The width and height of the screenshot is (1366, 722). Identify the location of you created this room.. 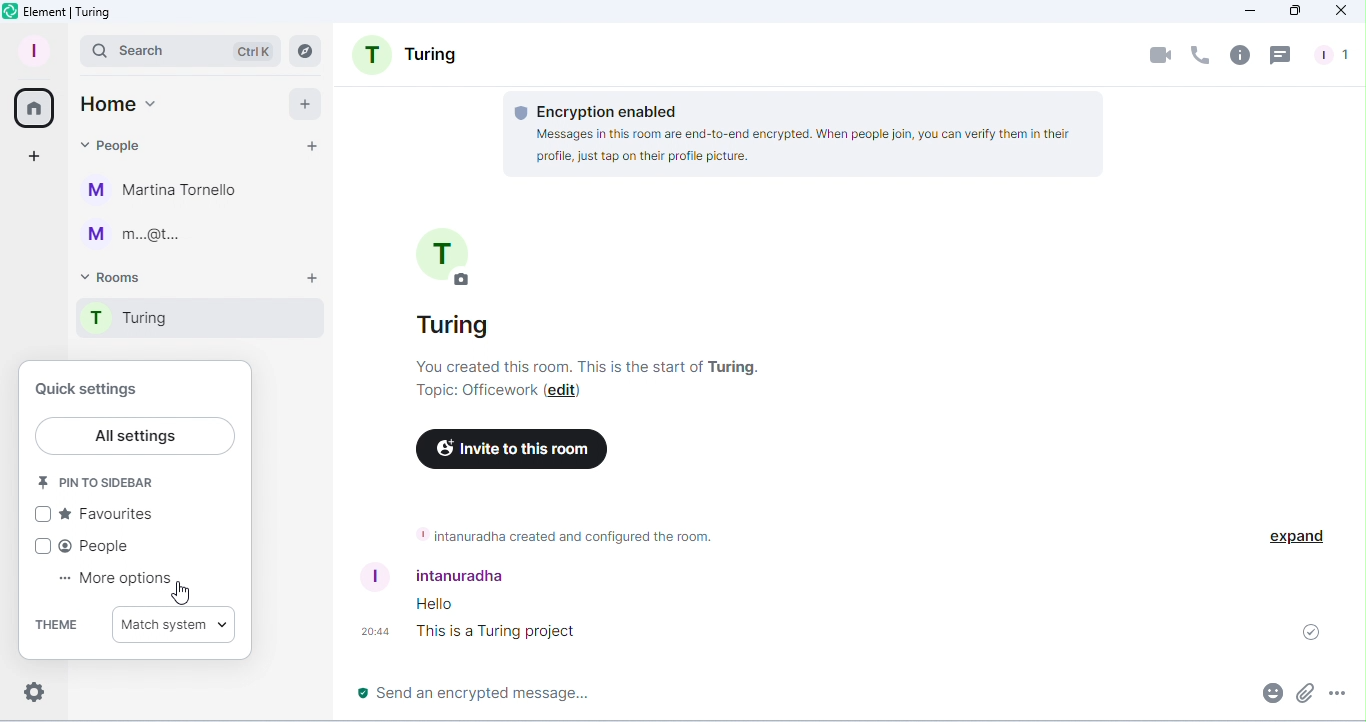
(595, 367).